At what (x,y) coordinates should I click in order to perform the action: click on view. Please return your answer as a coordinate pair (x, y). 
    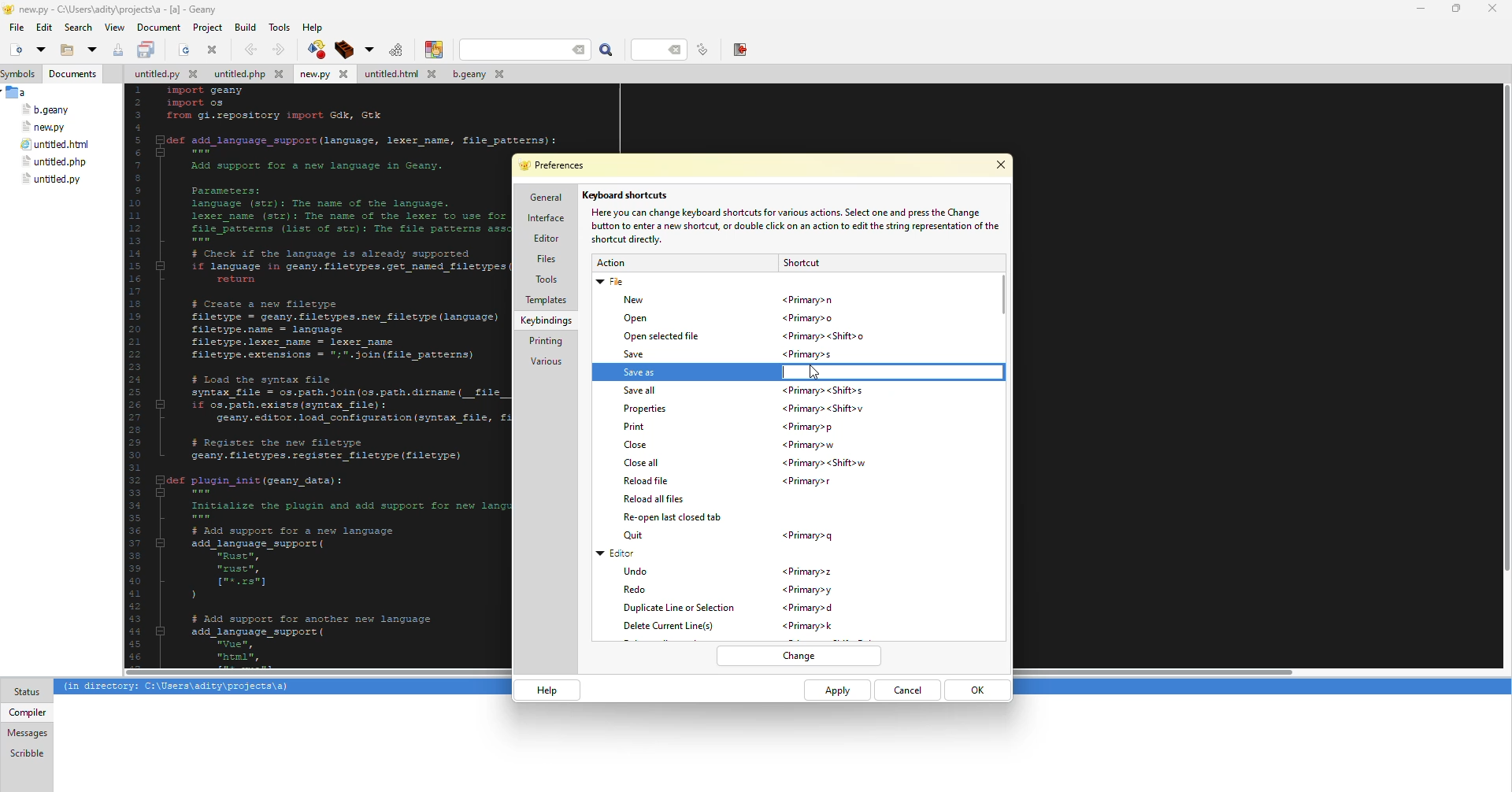
    Looking at the image, I should click on (114, 28).